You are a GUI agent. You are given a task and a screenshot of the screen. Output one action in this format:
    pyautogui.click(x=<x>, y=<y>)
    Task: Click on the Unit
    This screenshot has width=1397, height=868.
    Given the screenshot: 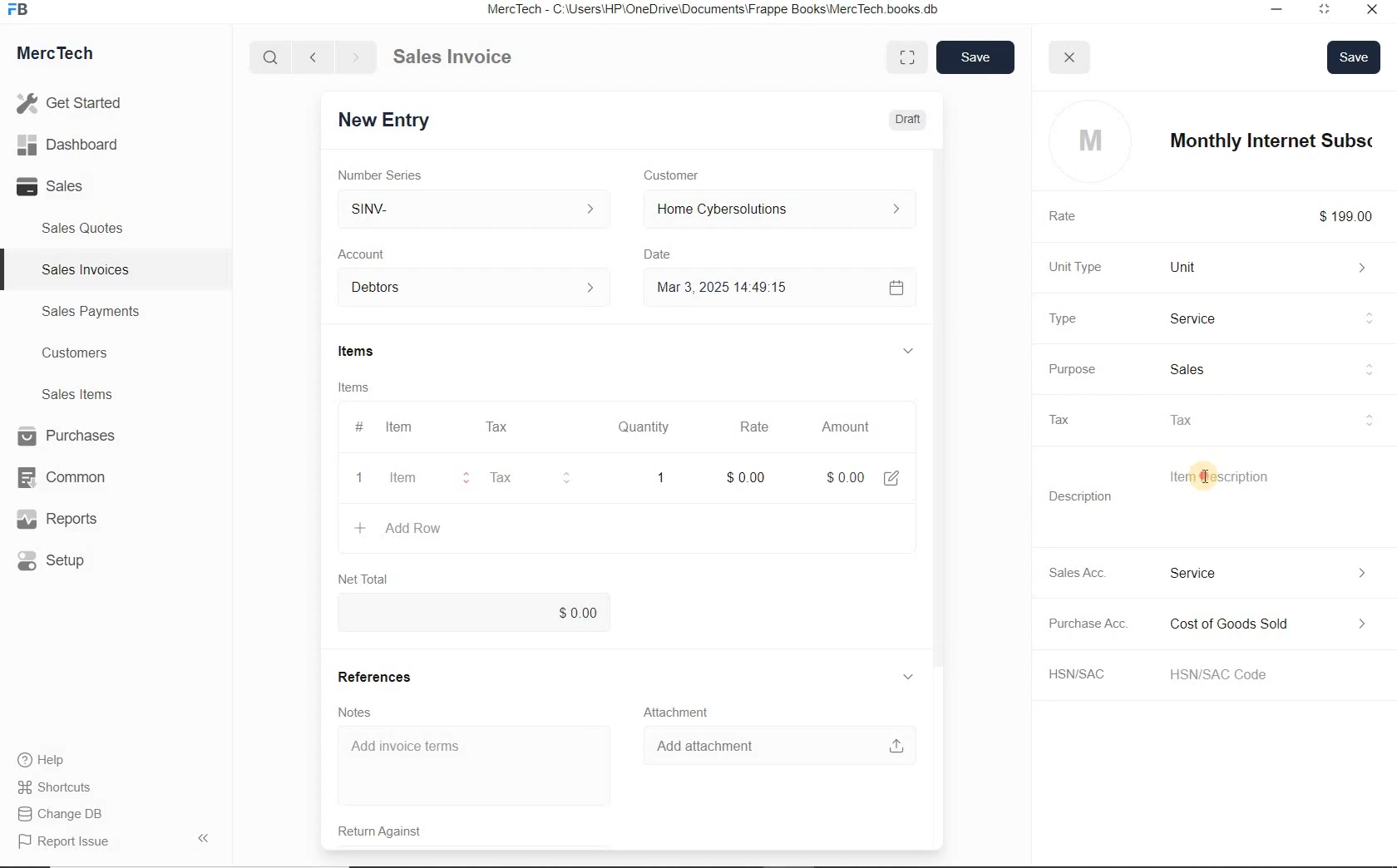 What is the action you would take?
    pyautogui.click(x=1260, y=267)
    